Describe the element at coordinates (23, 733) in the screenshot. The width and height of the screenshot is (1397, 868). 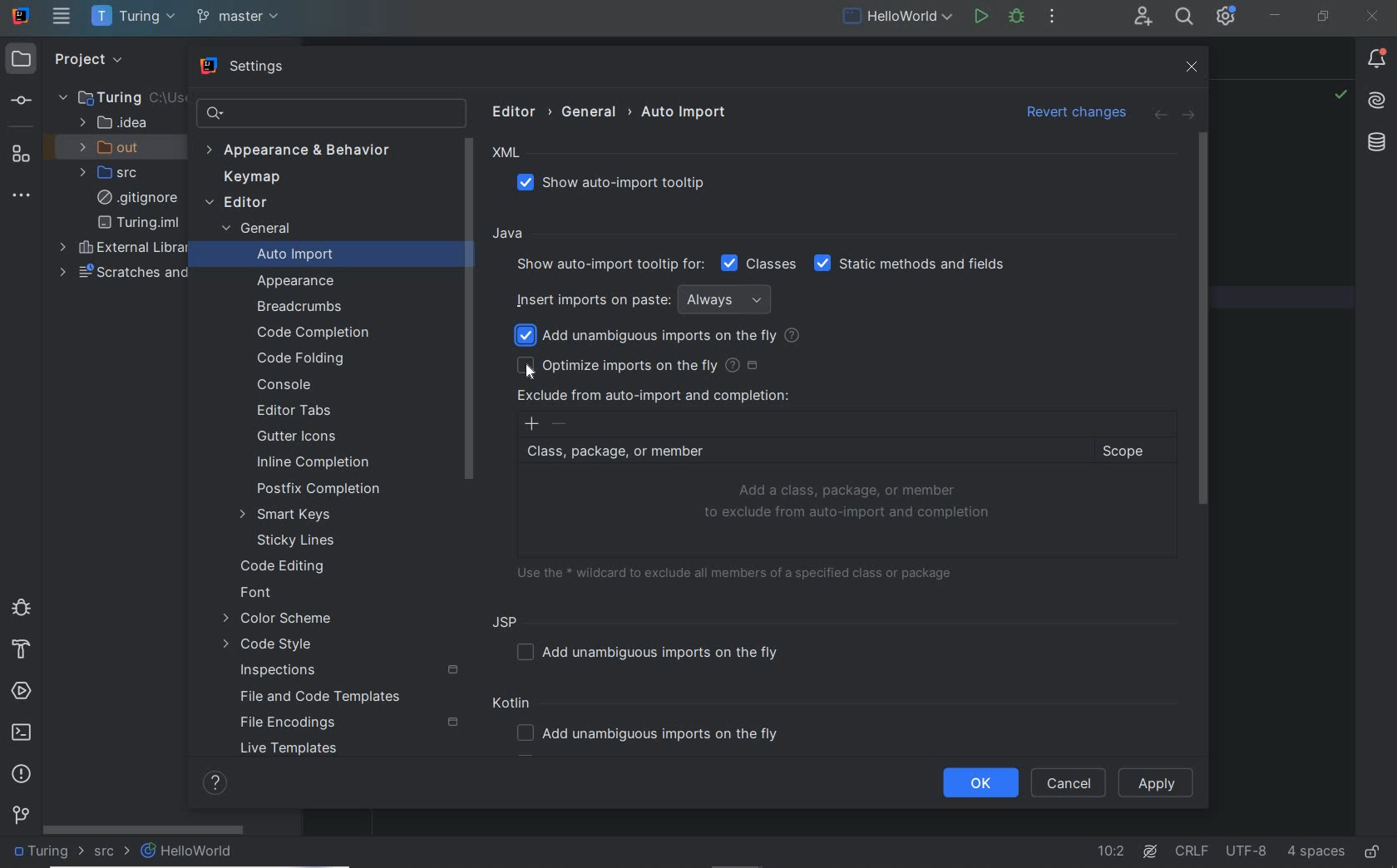
I see `terminal` at that location.